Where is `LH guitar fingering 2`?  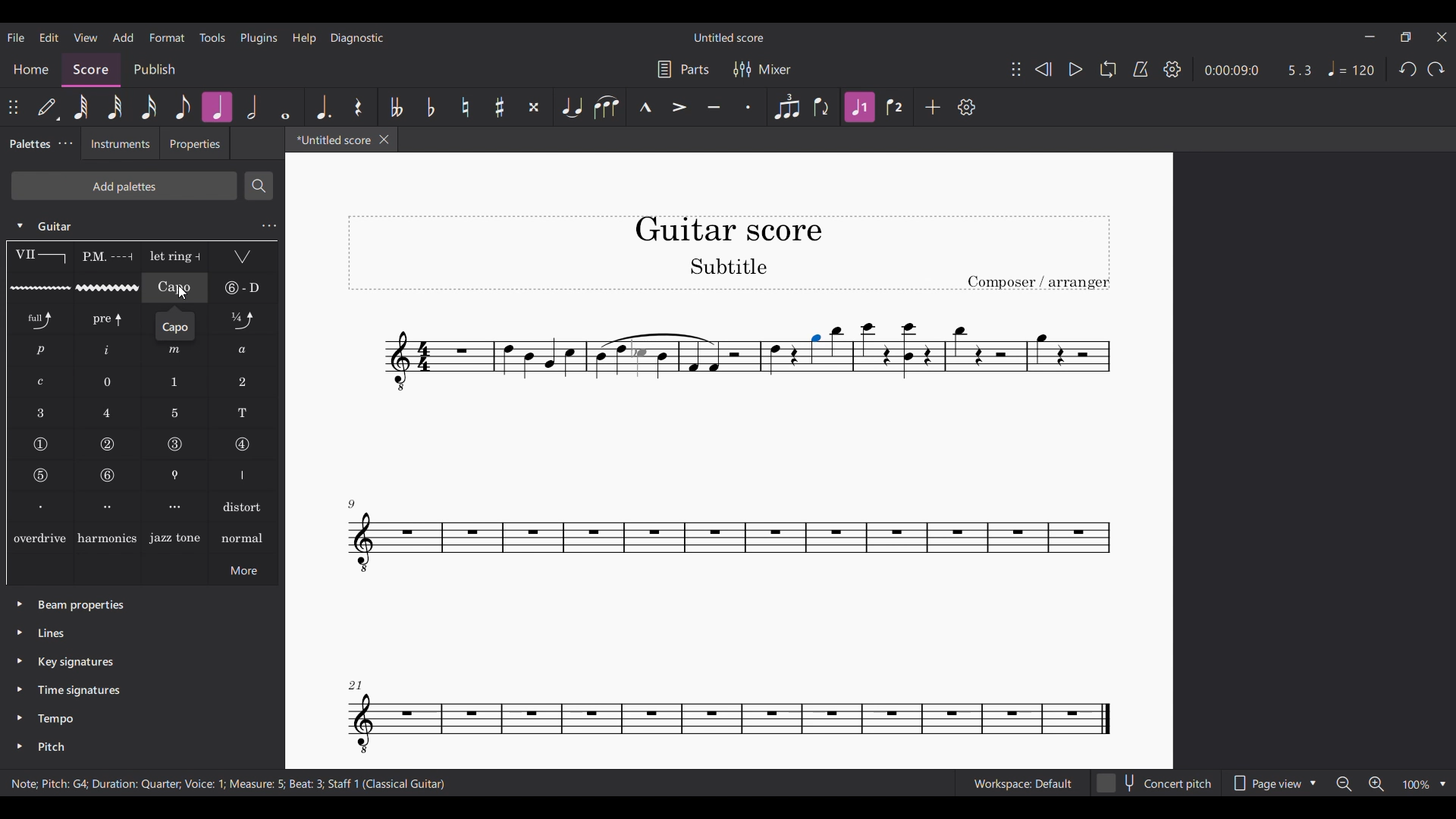
LH guitar fingering 2 is located at coordinates (243, 382).